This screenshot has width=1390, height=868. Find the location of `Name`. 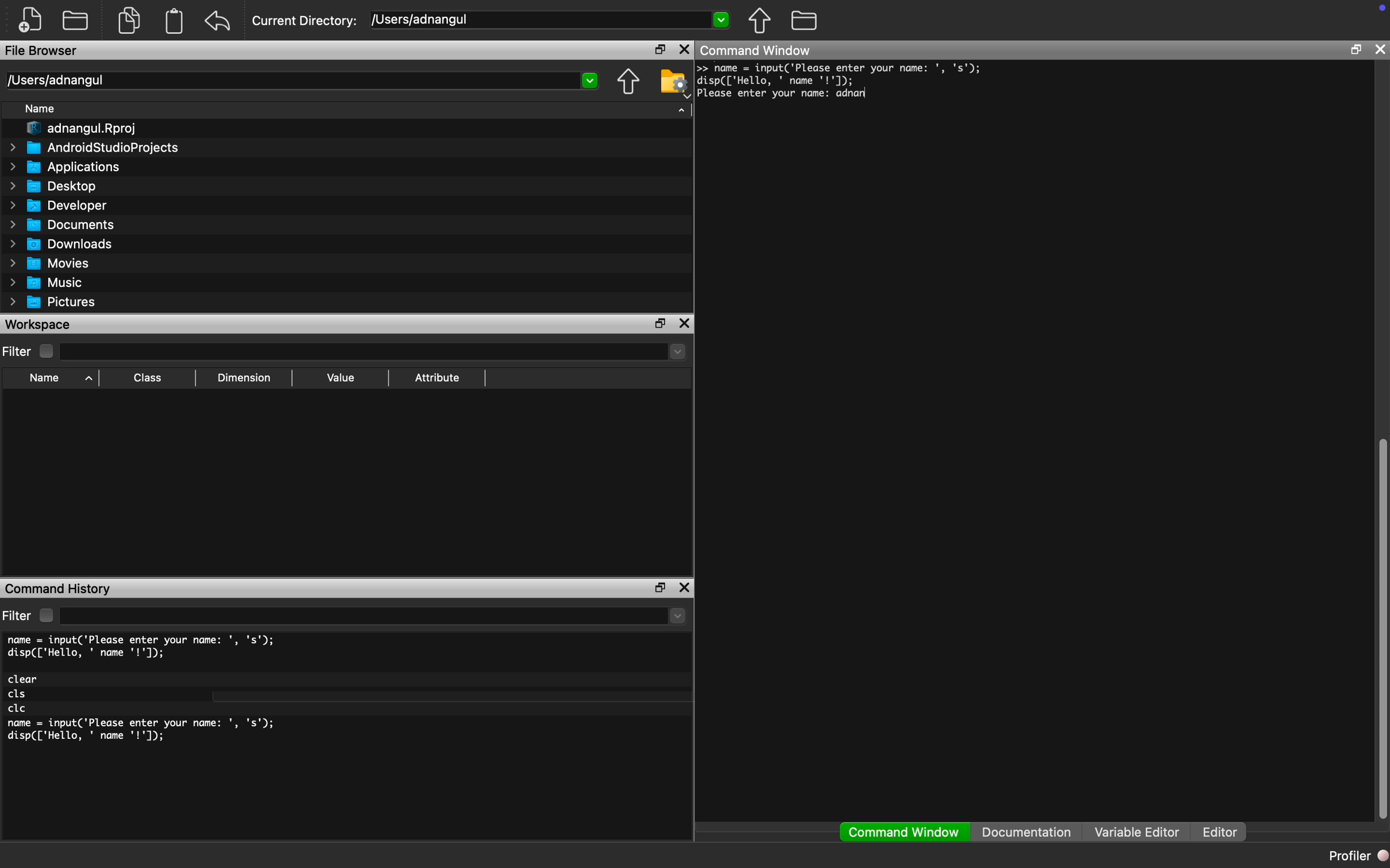

Name is located at coordinates (41, 108).